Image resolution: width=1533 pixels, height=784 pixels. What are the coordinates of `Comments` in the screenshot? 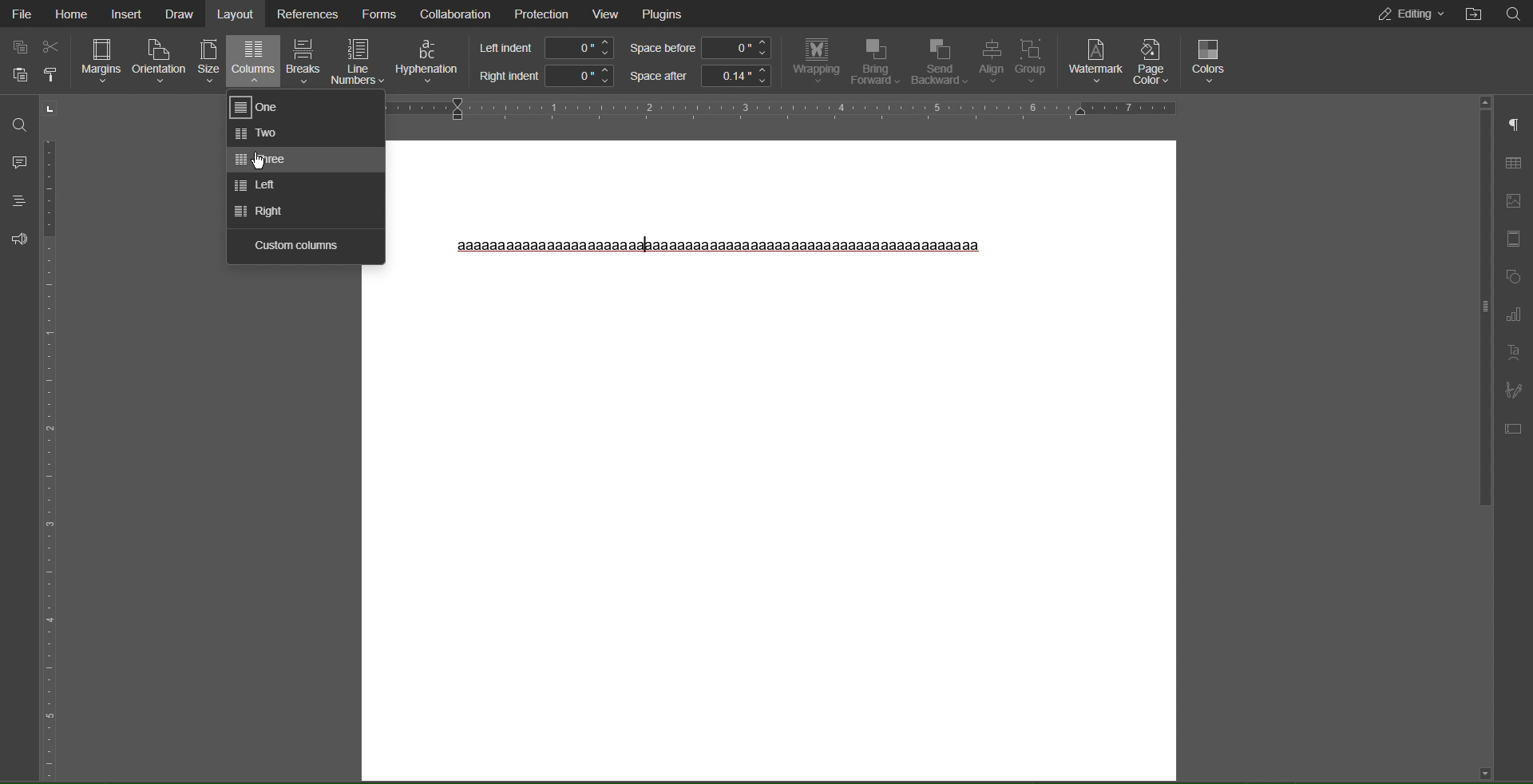 It's located at (18, 161).